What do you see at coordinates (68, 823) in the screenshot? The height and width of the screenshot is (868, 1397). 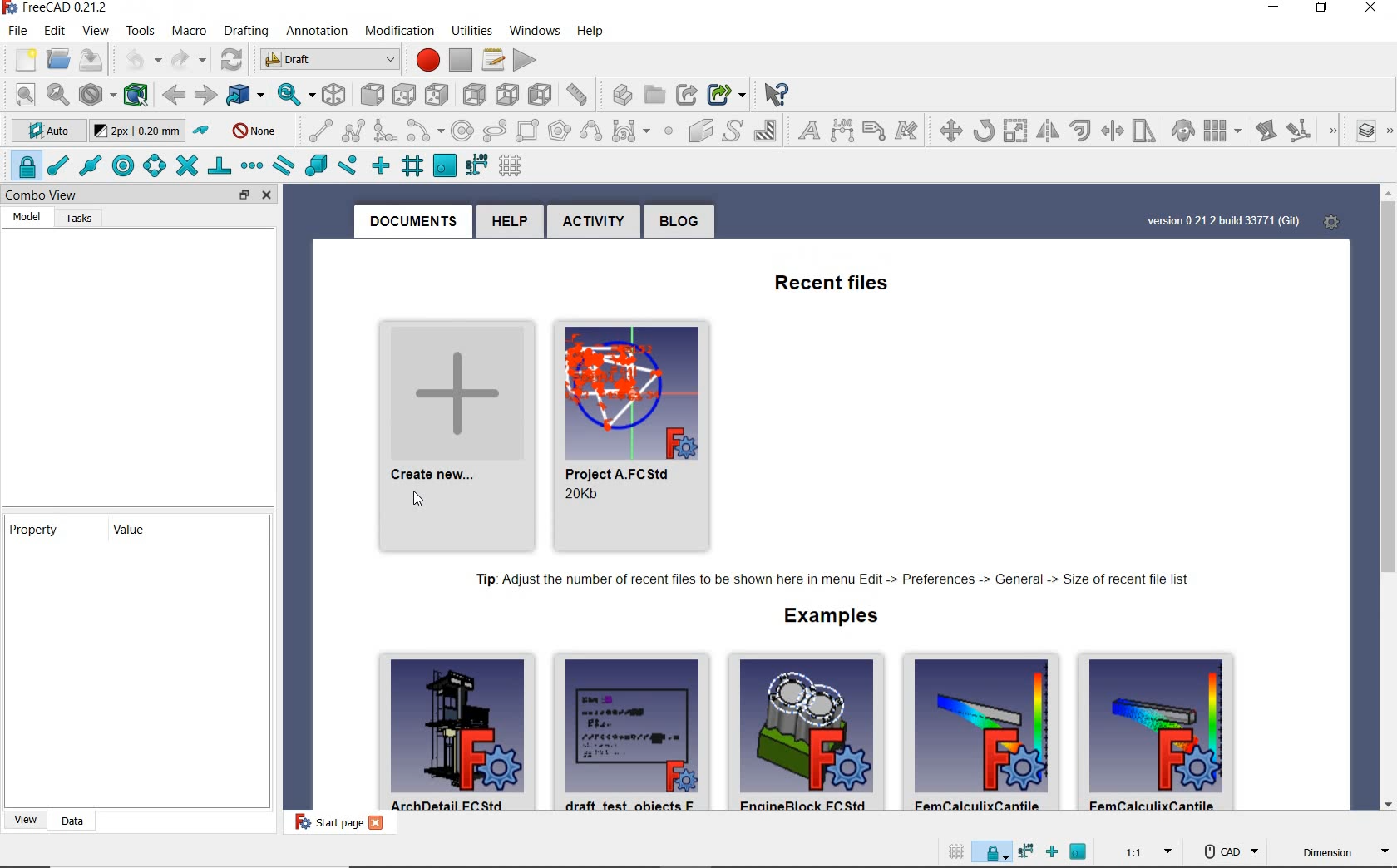 I see `data` at bounding box center [68, 823].